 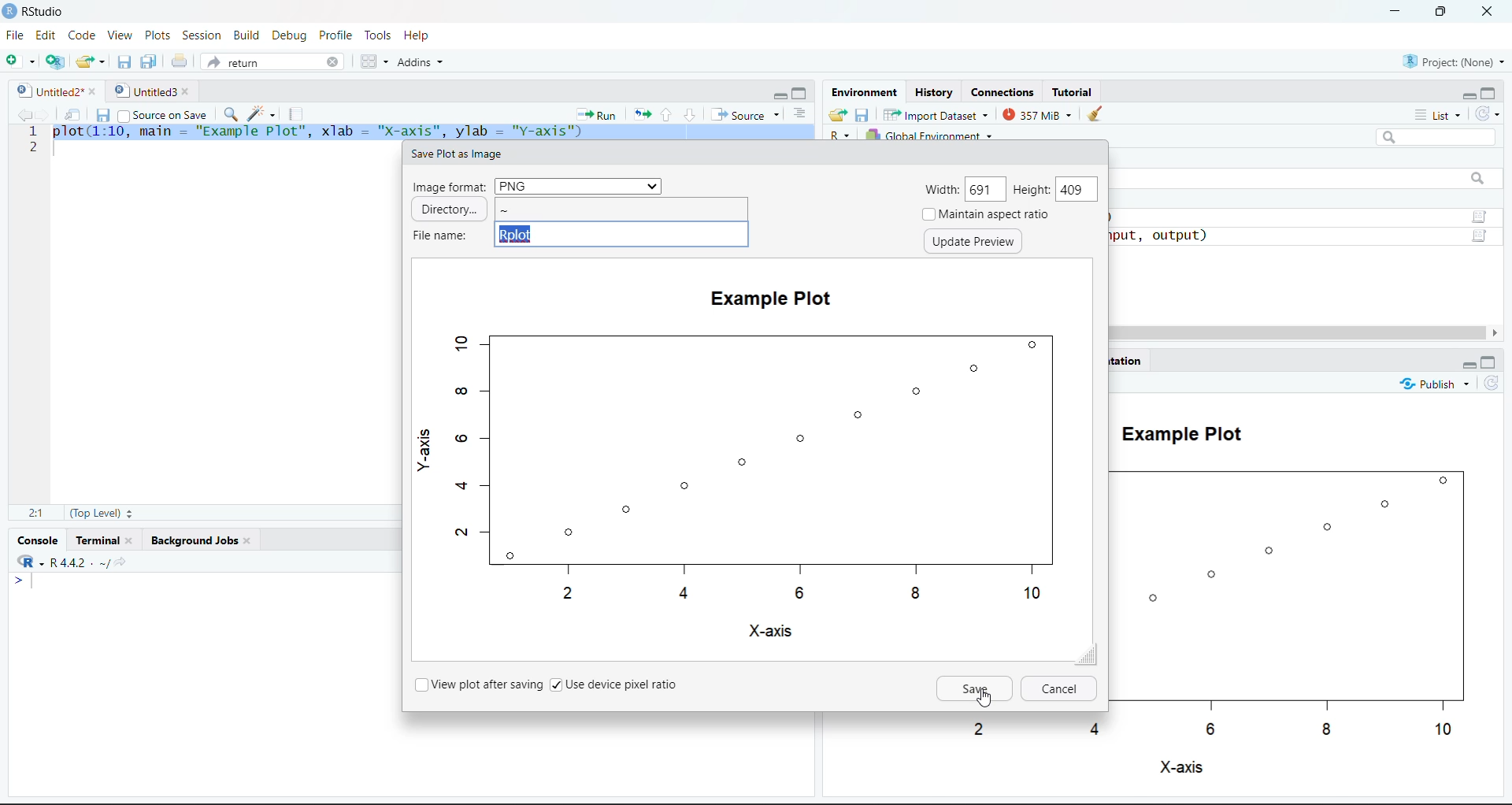 What do you see at coordinates (106, 540) in the screenshot?
I see `Terminal` at bounding box center [106, 540].